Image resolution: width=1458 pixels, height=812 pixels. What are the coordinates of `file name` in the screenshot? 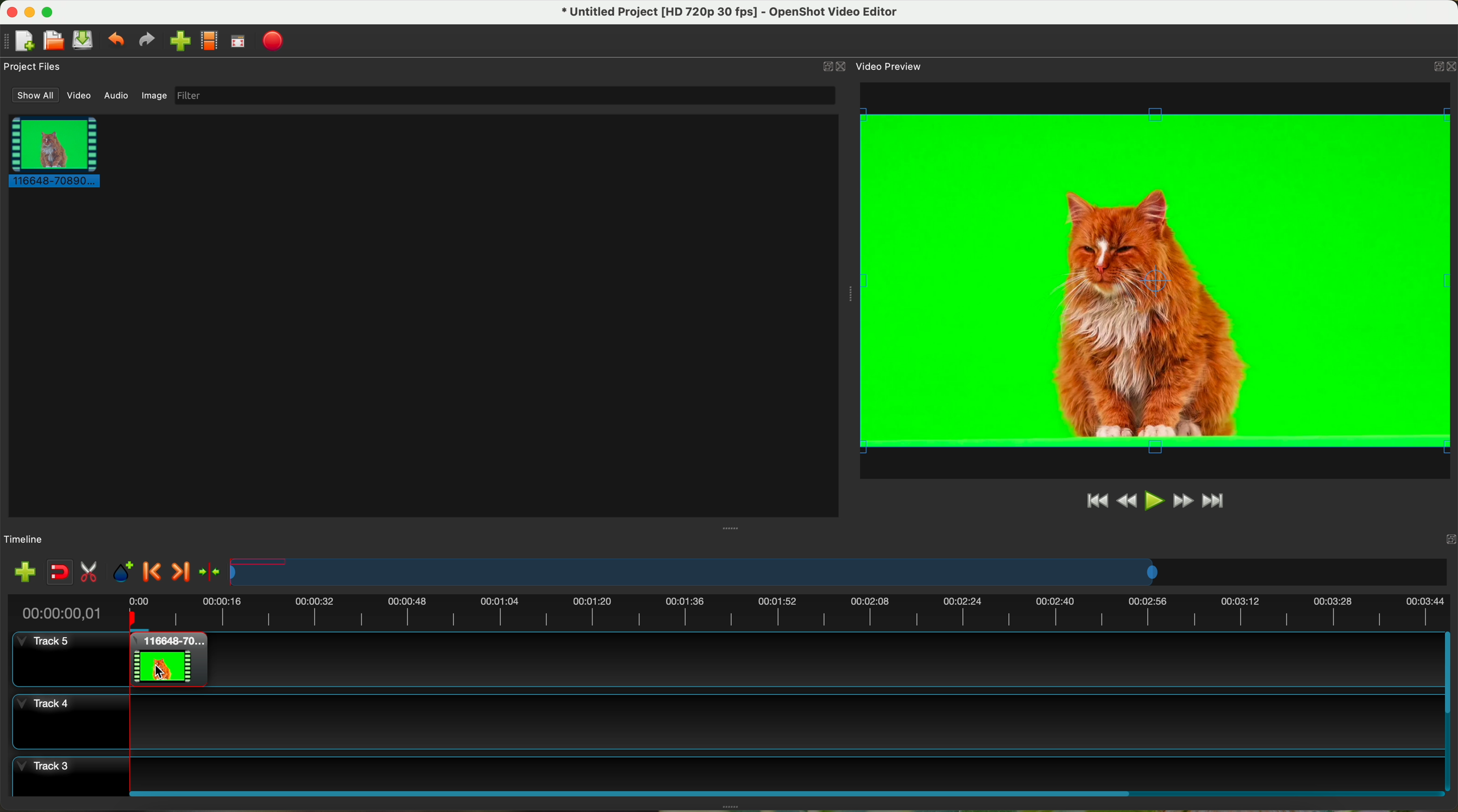 It's located at (731, 12).